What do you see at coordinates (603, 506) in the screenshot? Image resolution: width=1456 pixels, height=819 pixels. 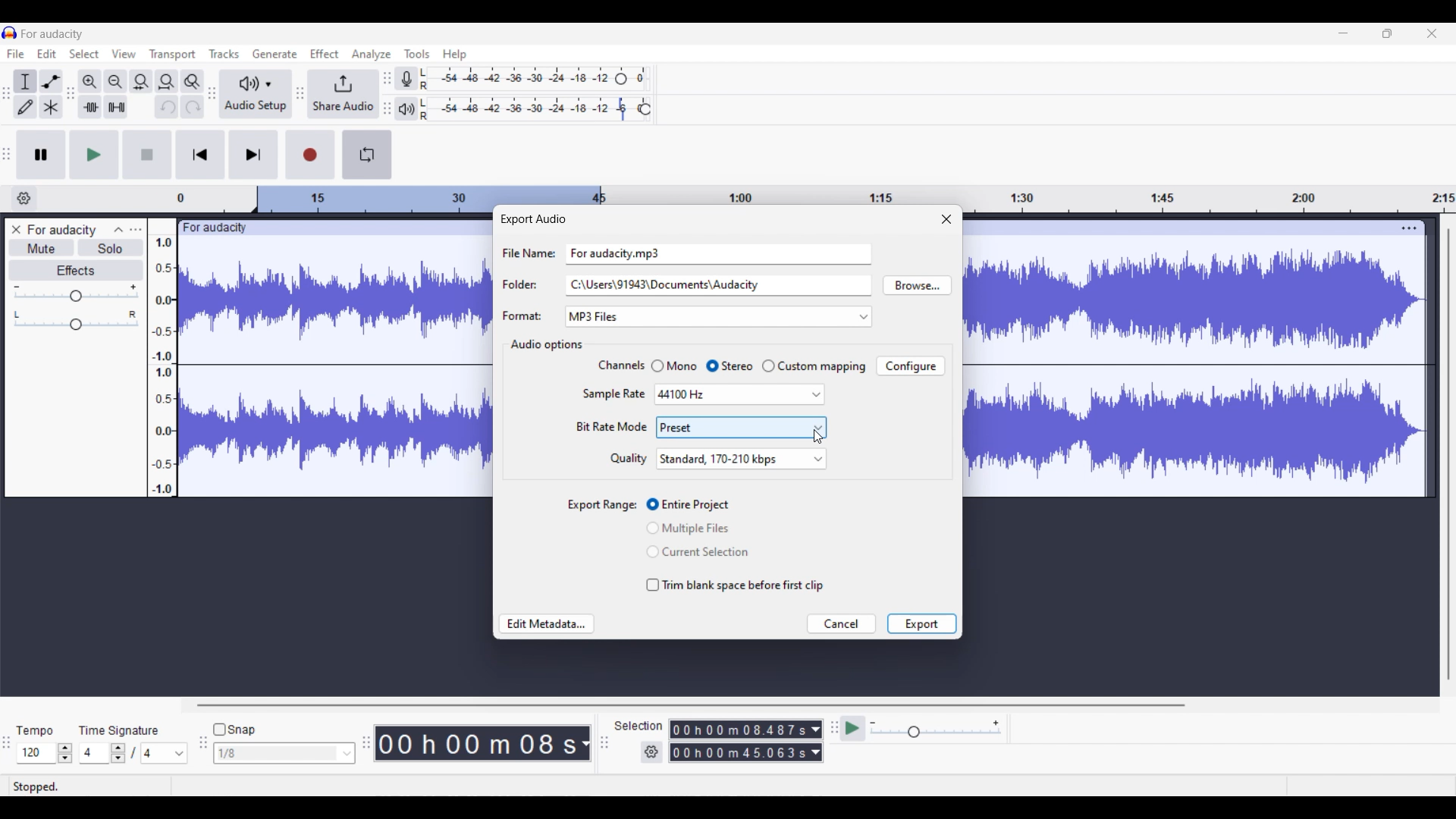 I see `Indicates toggle settings for export range` at bounding box center [603, 506].